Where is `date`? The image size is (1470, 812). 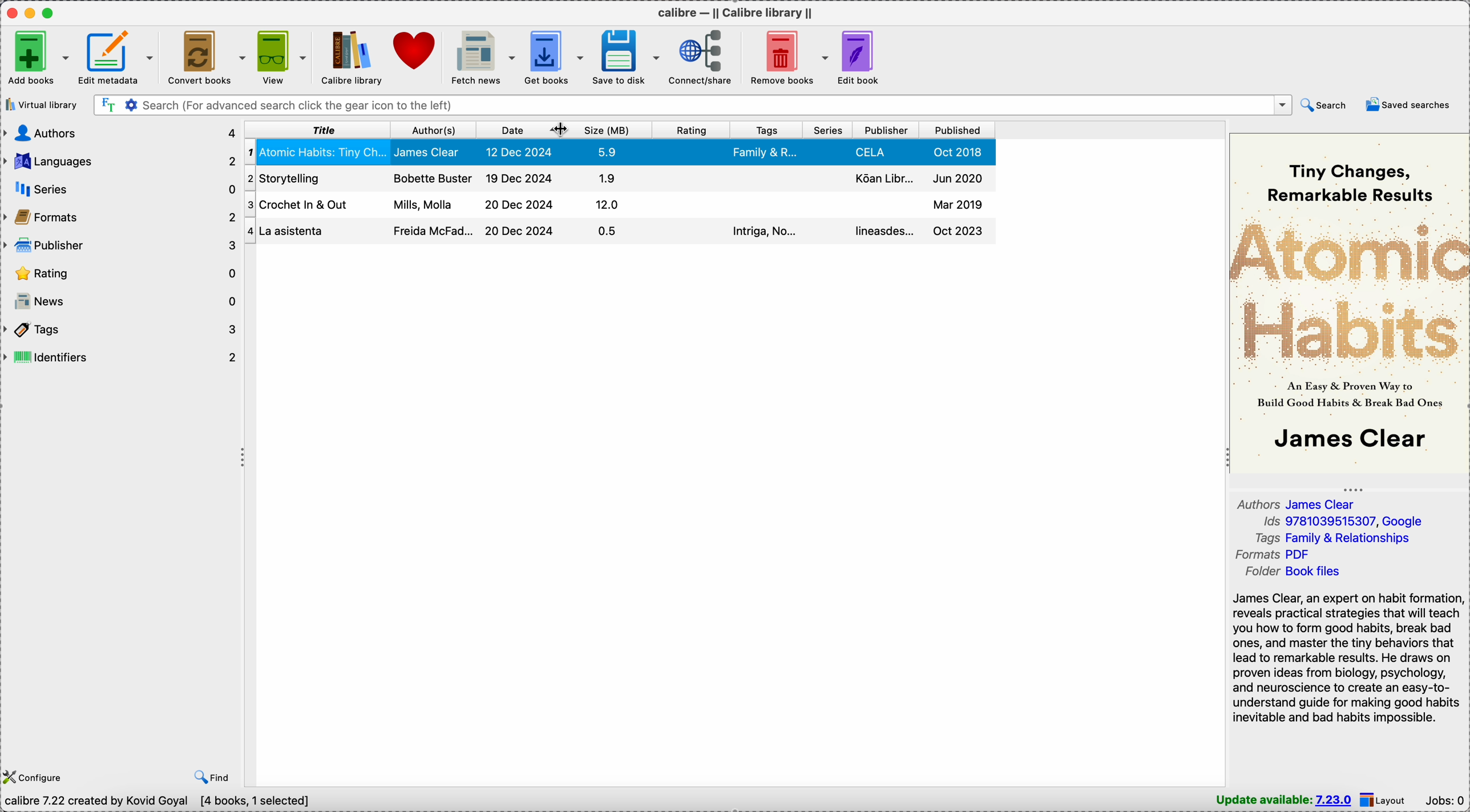
date is located at coordinates (511, 130).